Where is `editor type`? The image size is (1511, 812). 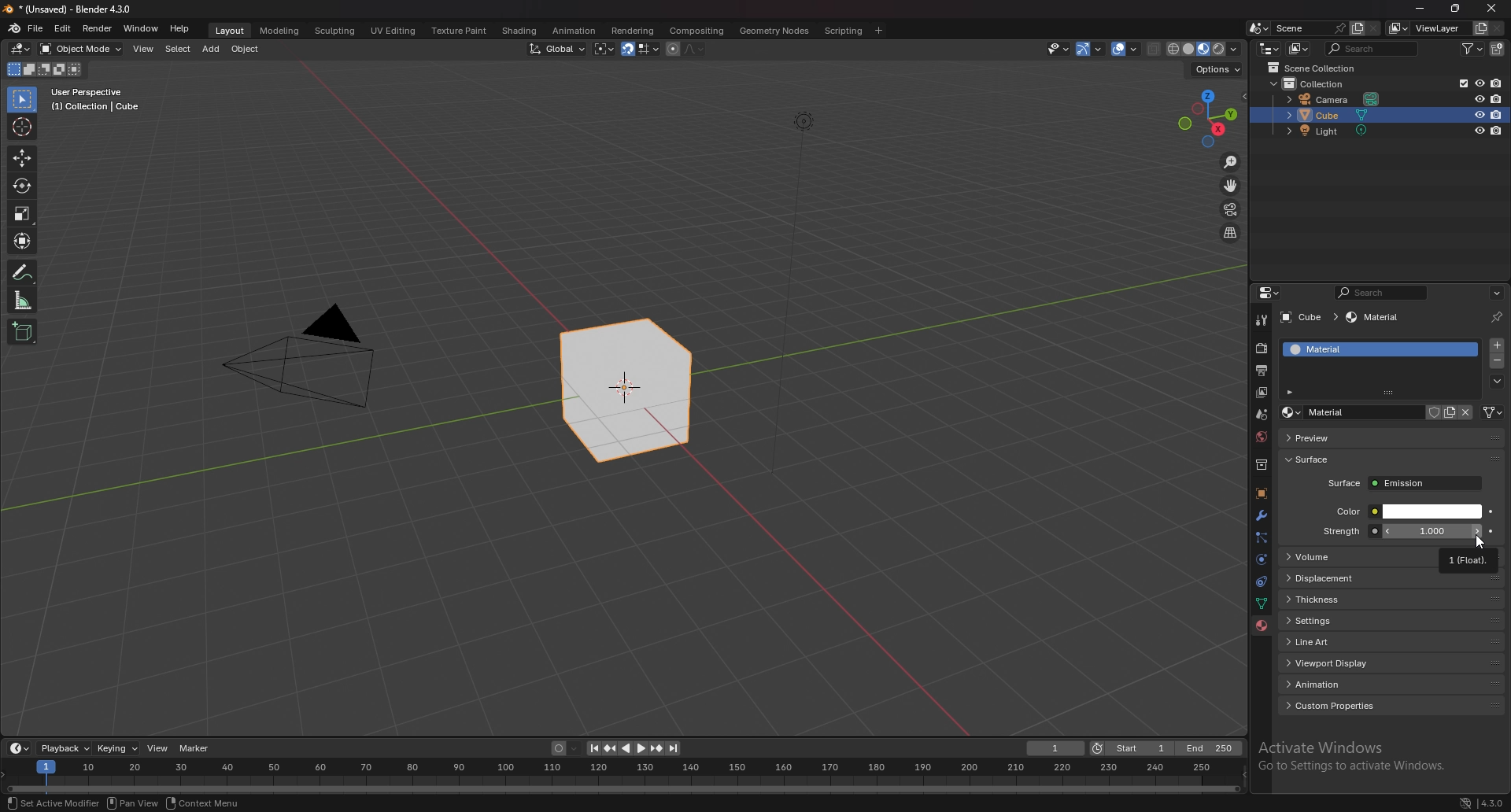 editor type is located at coordinates (1269, 293).